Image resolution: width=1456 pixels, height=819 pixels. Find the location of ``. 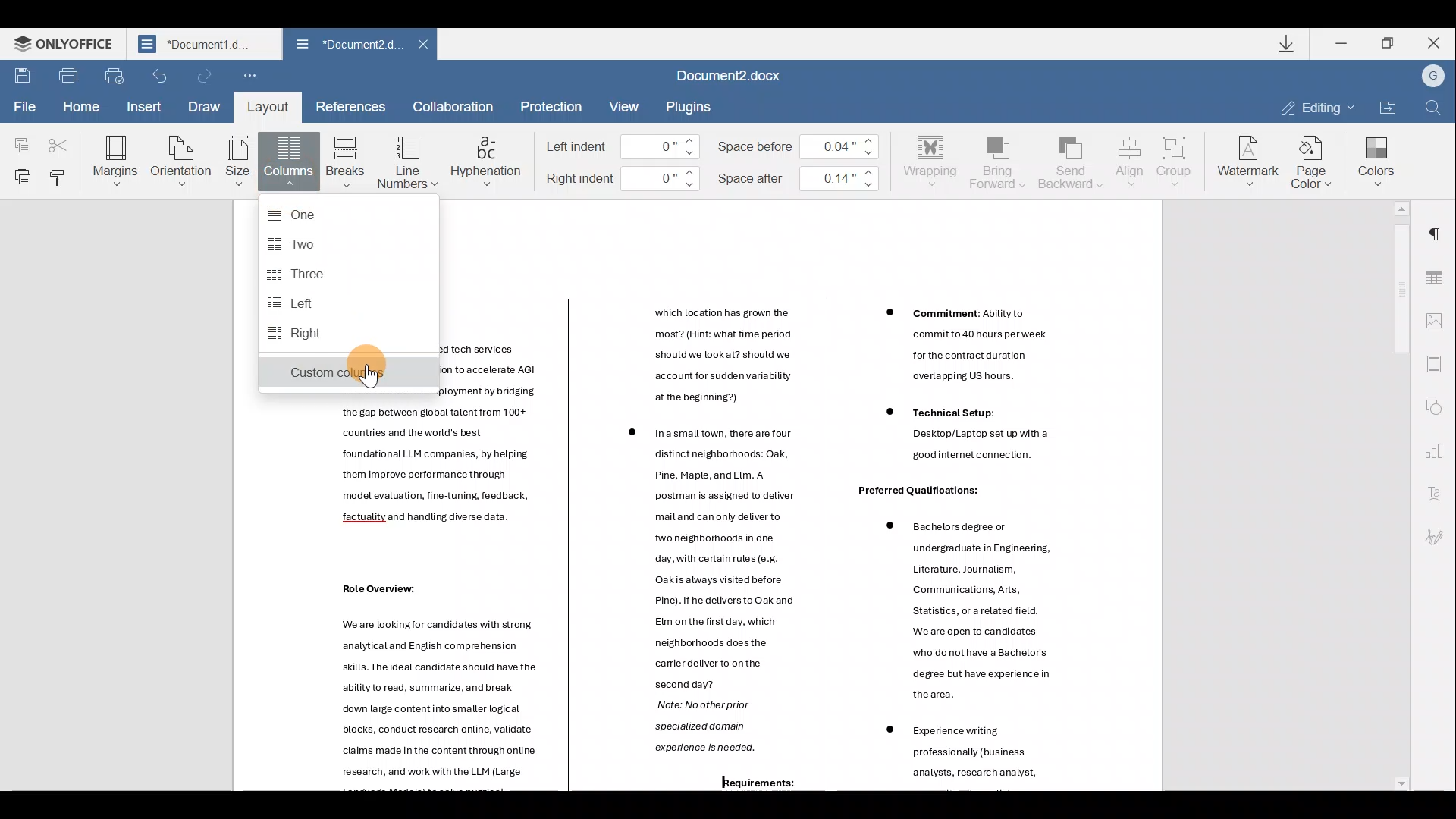

 is located at coordinates (745, 785).